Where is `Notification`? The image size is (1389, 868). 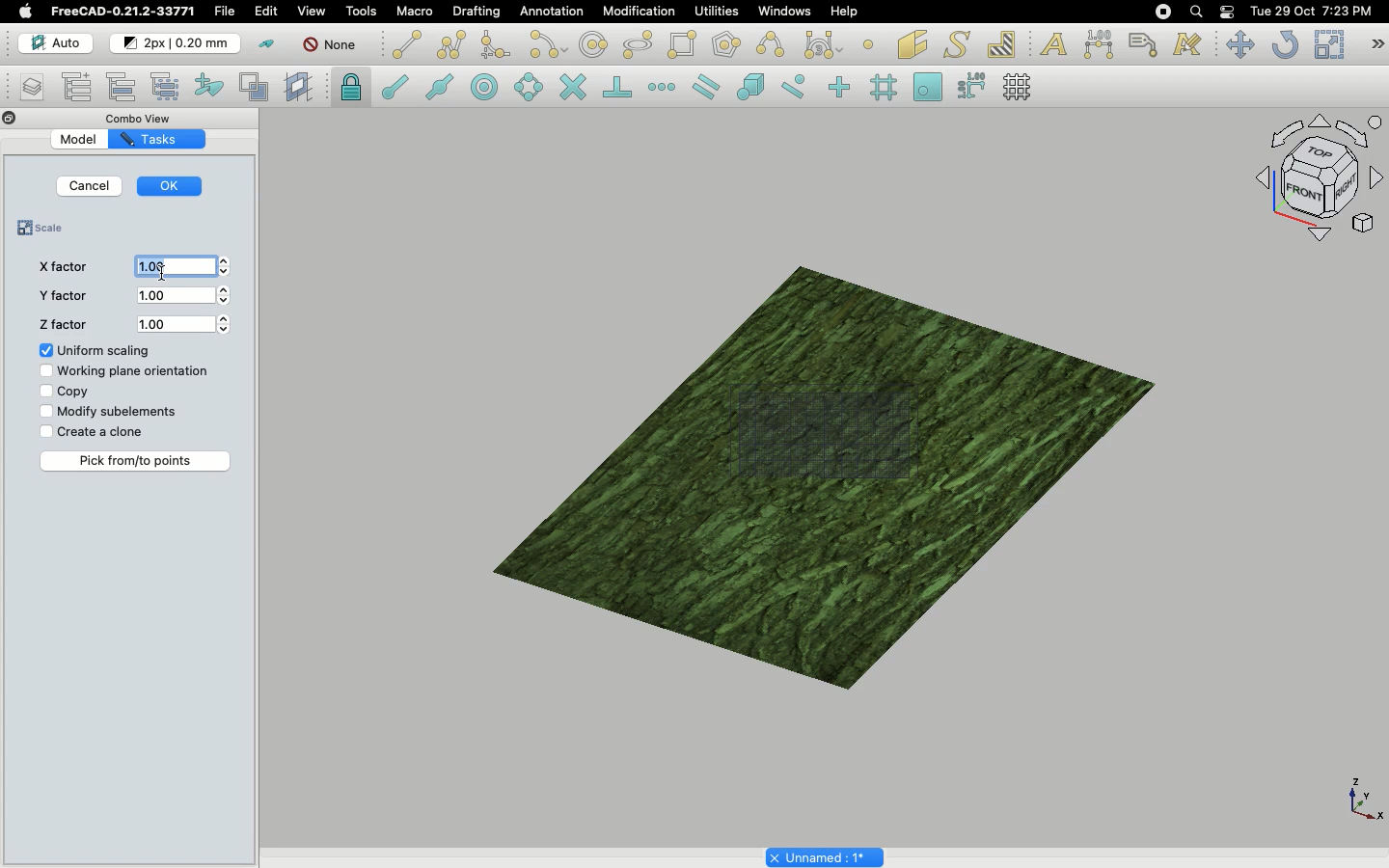
Notification is located at coordinates (1228, 11).